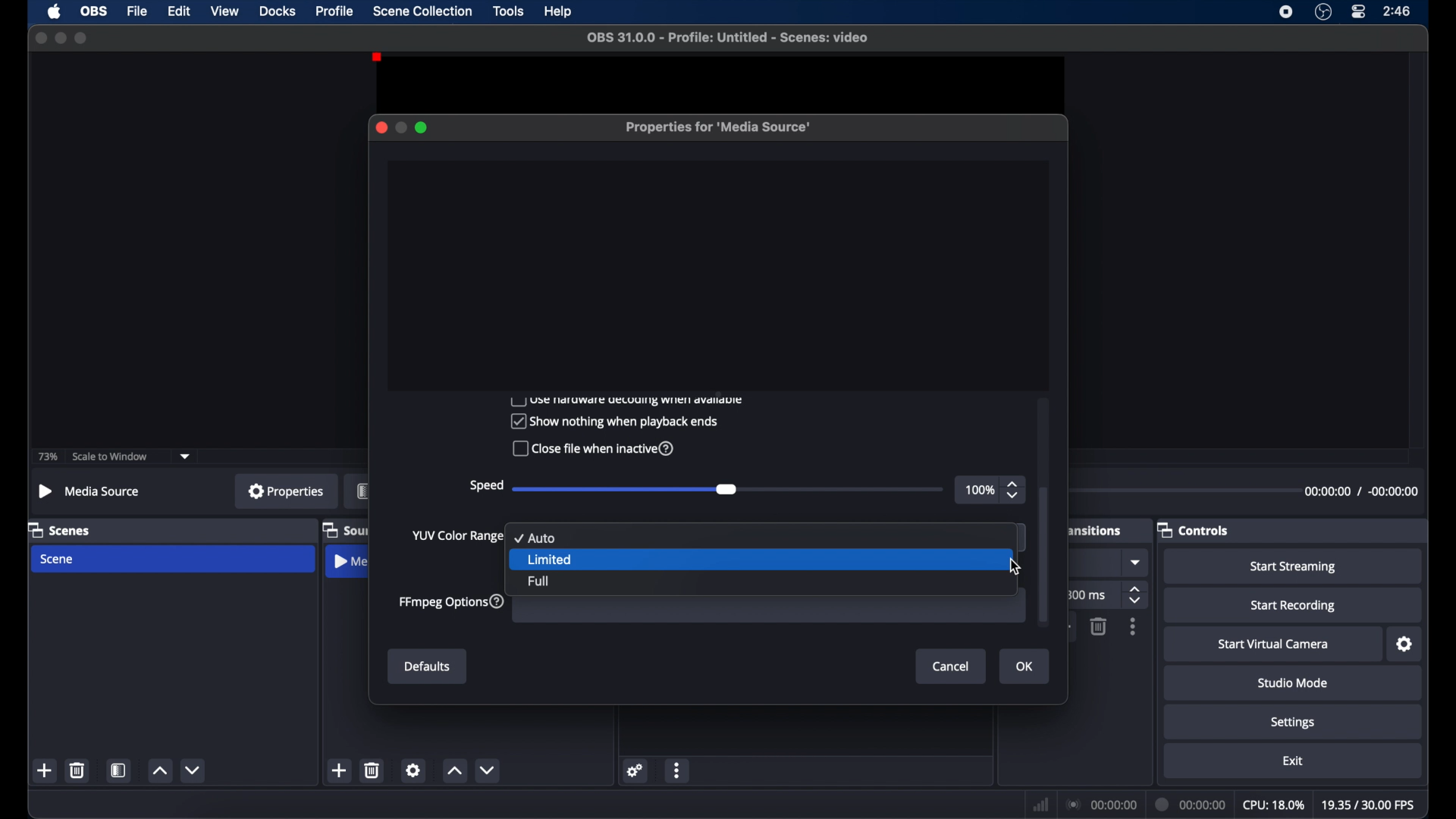 This screenshot has width=1456, height=819. What do you see at coordinates (1272, 804) in the screenshot?
I see `cpu` at bounding box center [1272, 804].